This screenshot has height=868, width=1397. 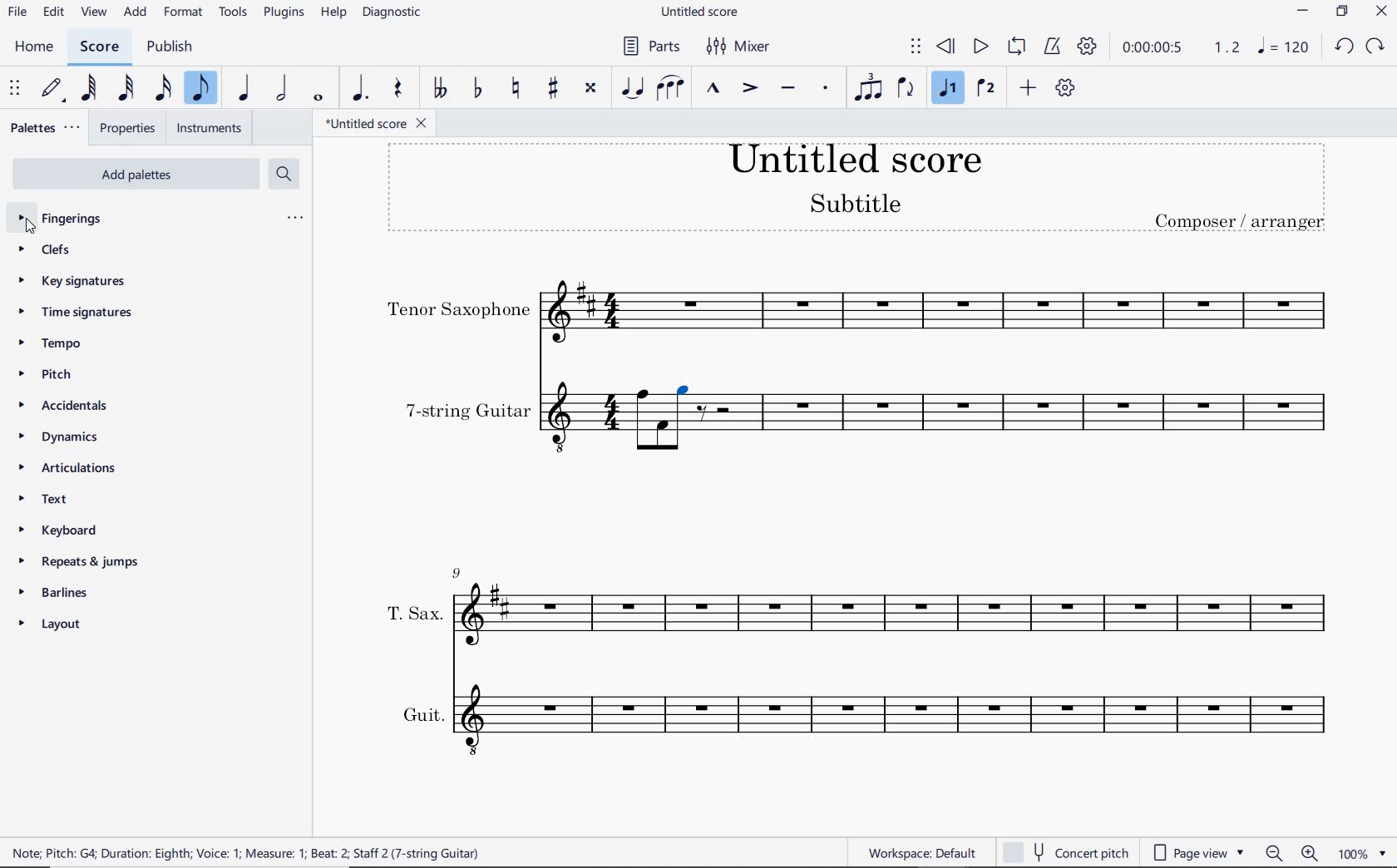 What do you see at coordinates (478, 89) in the screenshot?
I see `TOGGLE FLAT` at bounding box center [478, 89].